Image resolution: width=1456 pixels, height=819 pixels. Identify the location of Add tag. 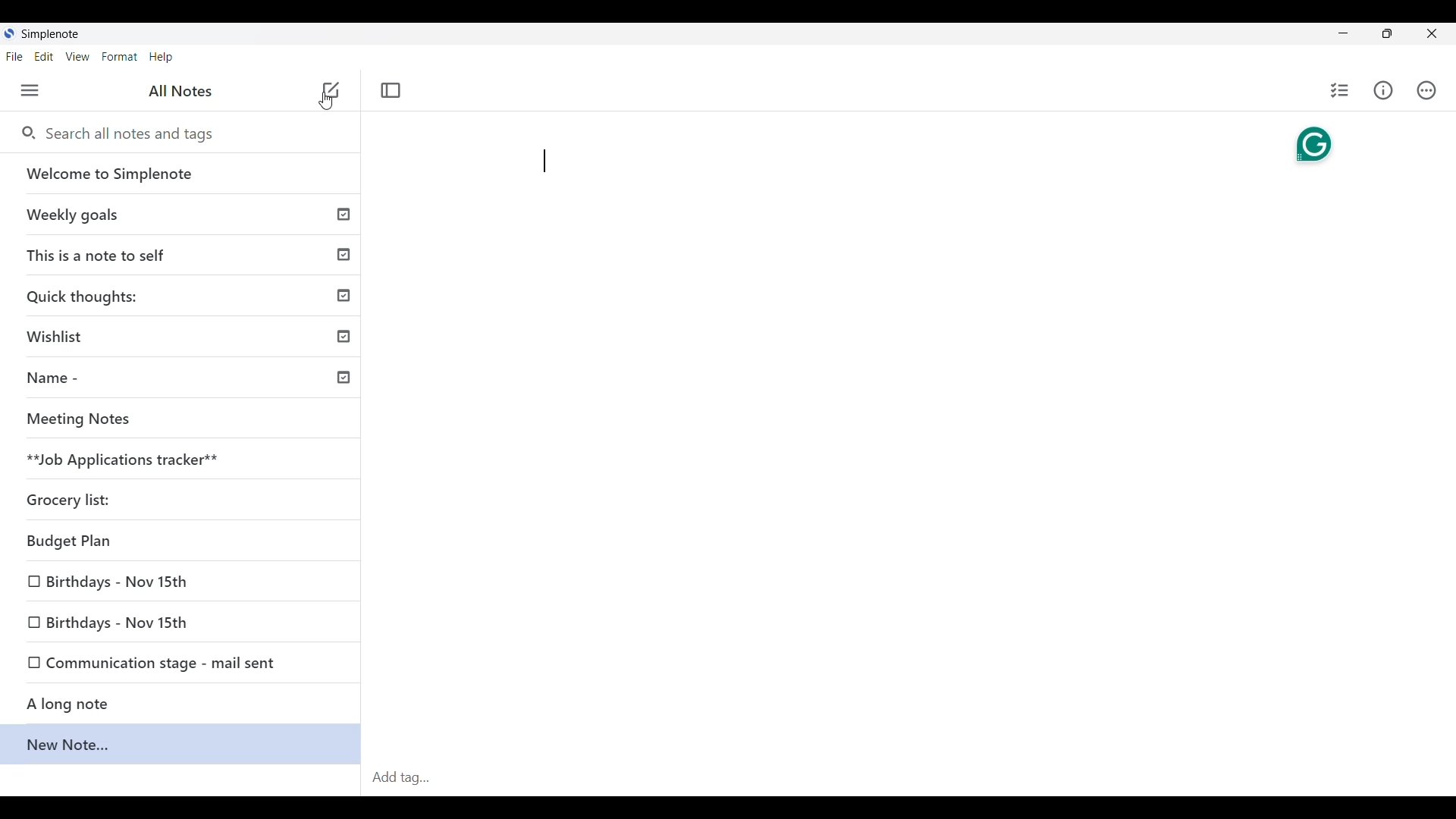
(401, 778).